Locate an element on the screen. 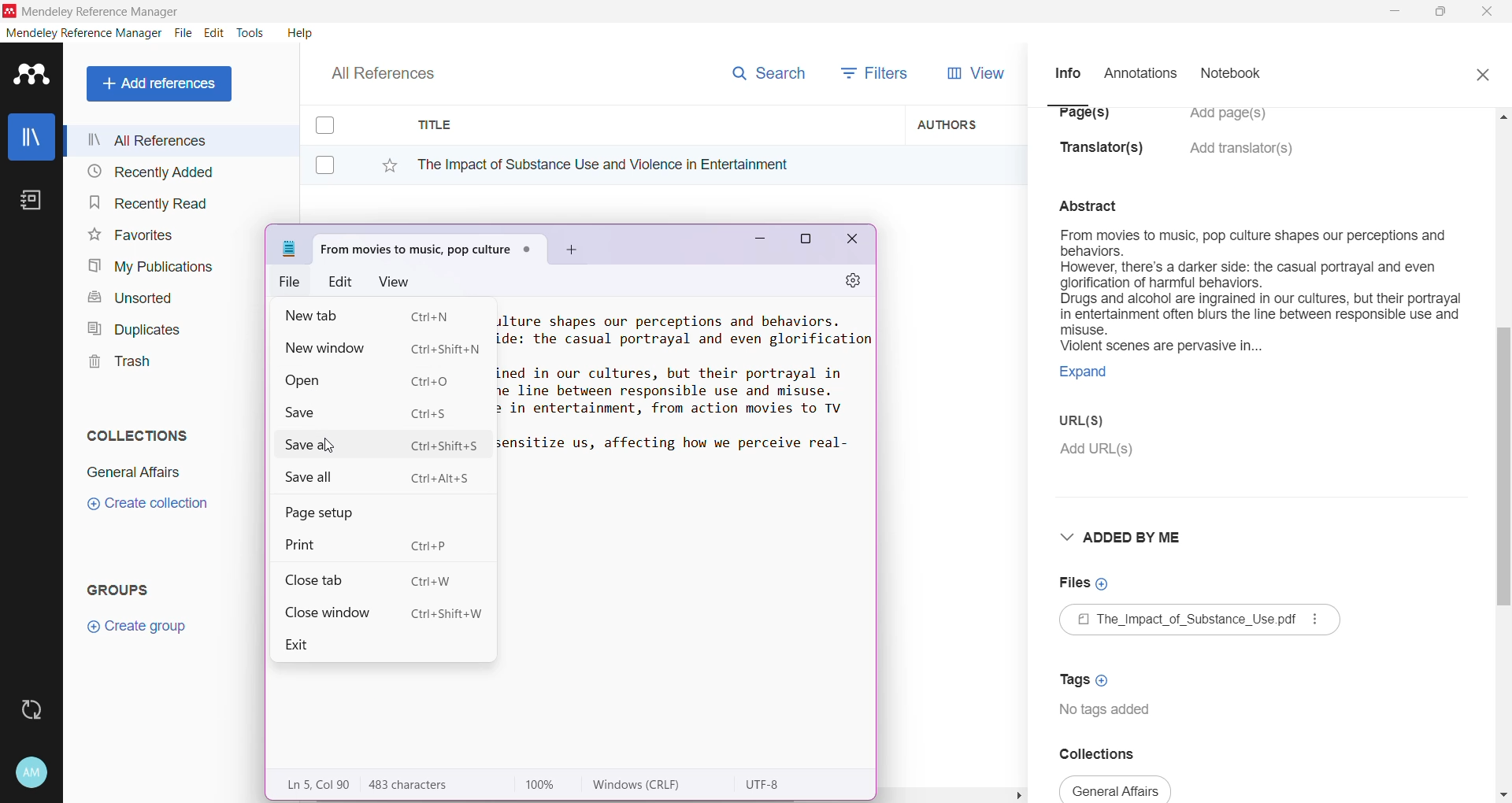  Click to Create Collection is located at coordinates (147, 506).